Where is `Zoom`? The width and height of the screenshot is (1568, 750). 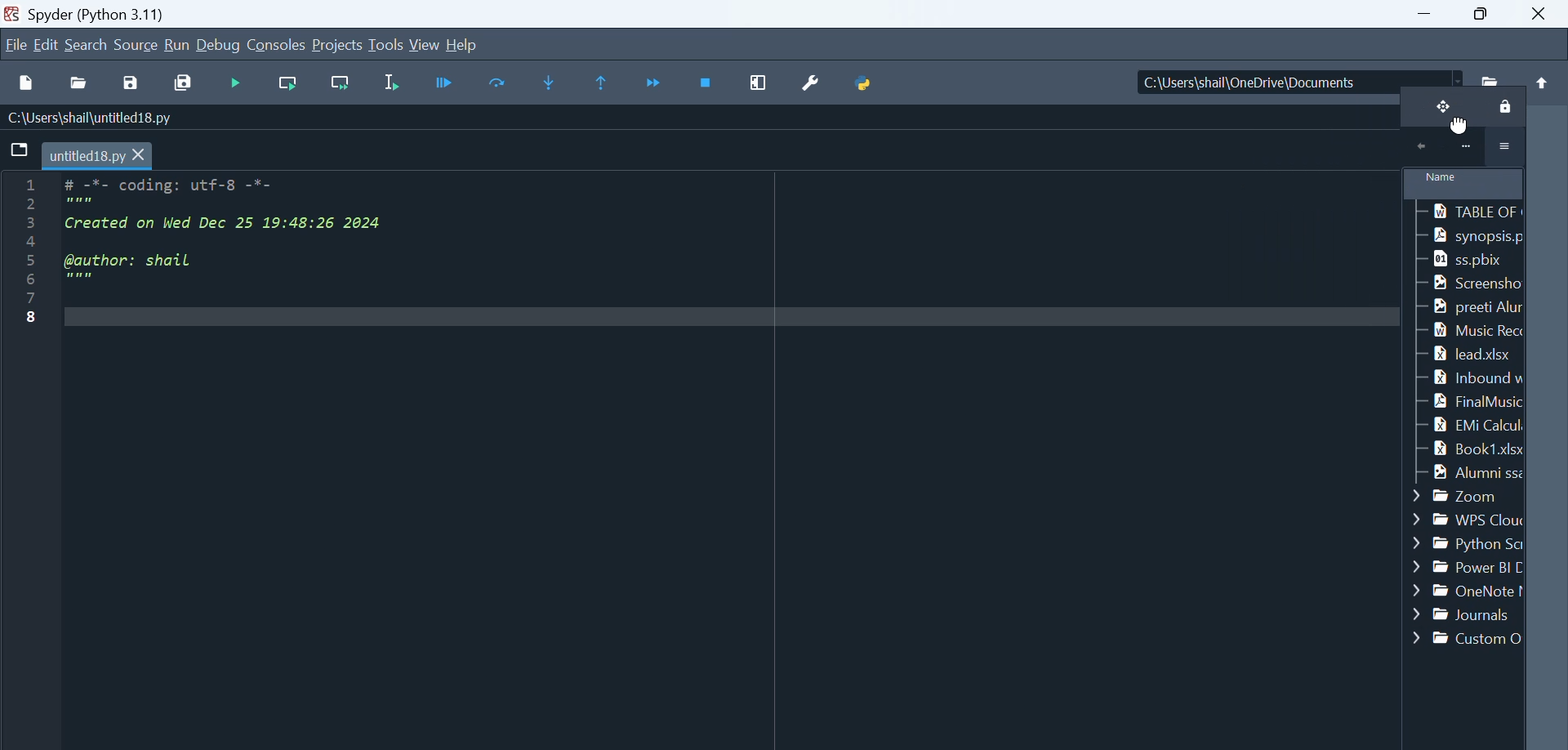 Zoom is located at coordinates (1467, 495).